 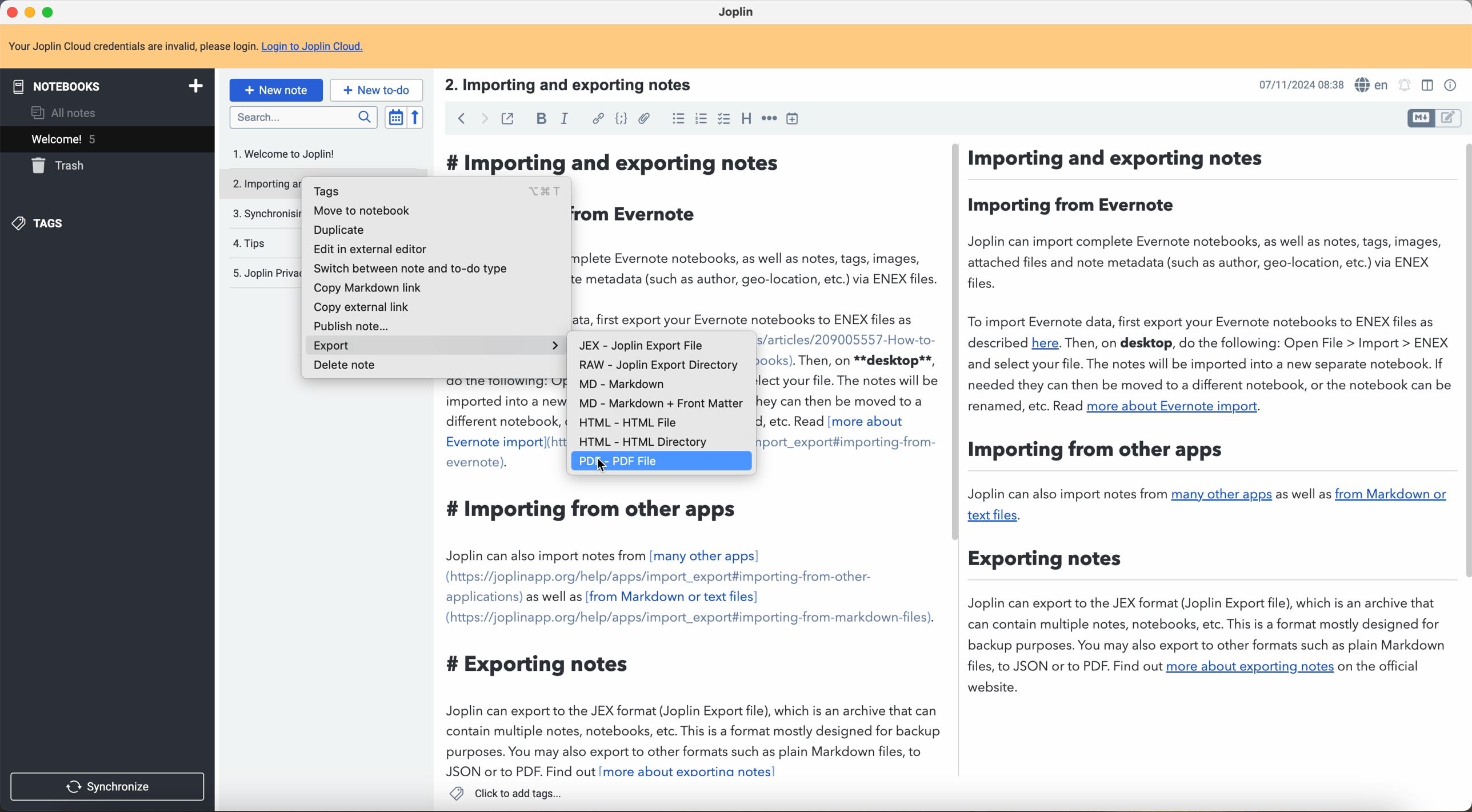 What do you see at coordinates (739, 13) in the screenshot?
I see `Joplin` at bounding box center [739, 13].